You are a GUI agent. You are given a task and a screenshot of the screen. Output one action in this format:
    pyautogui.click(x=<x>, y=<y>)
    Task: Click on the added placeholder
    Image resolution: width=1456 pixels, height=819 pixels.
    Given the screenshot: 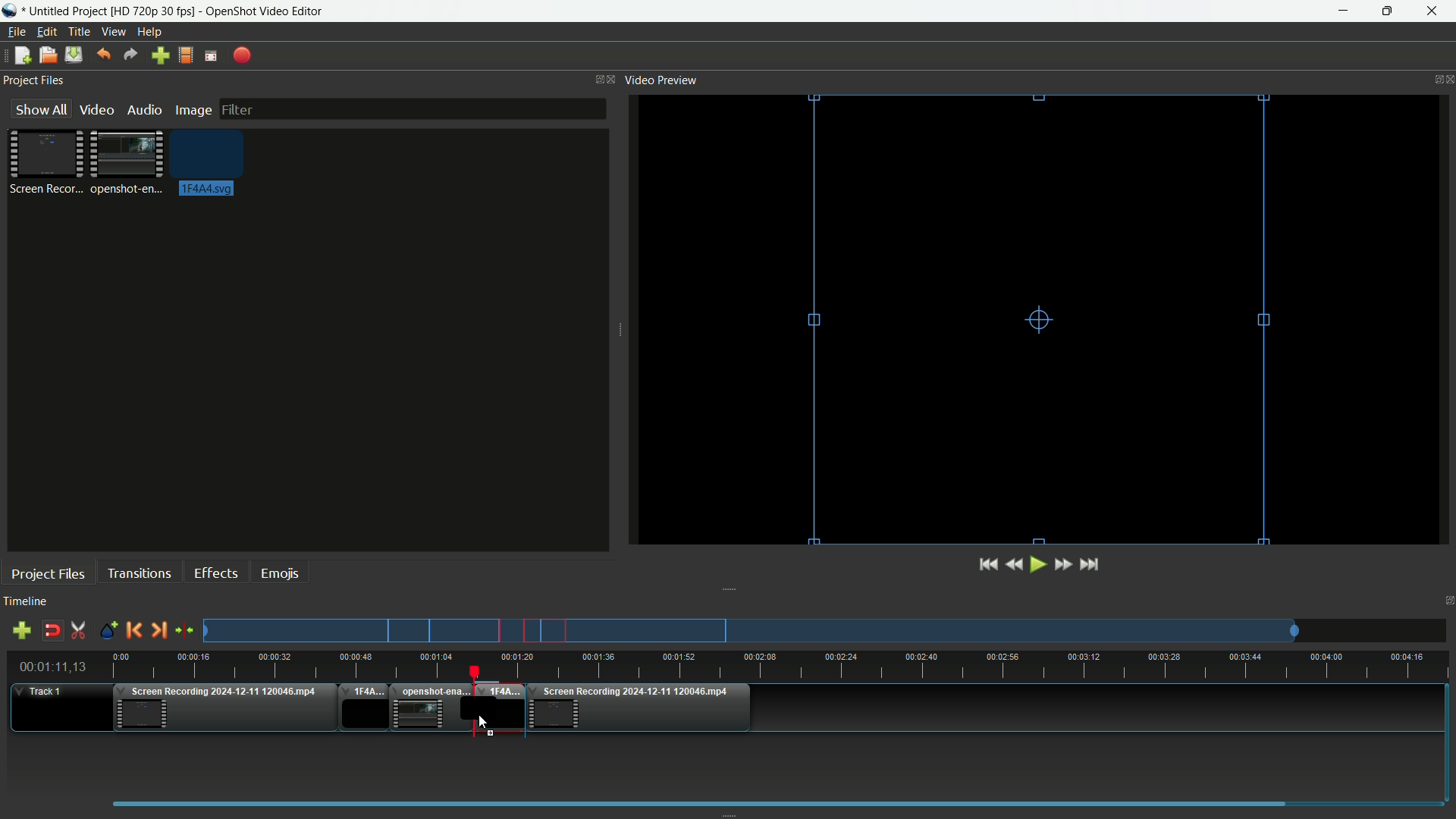 What is the action you would take?
    pyautogui.click(x=363, y=709)
    